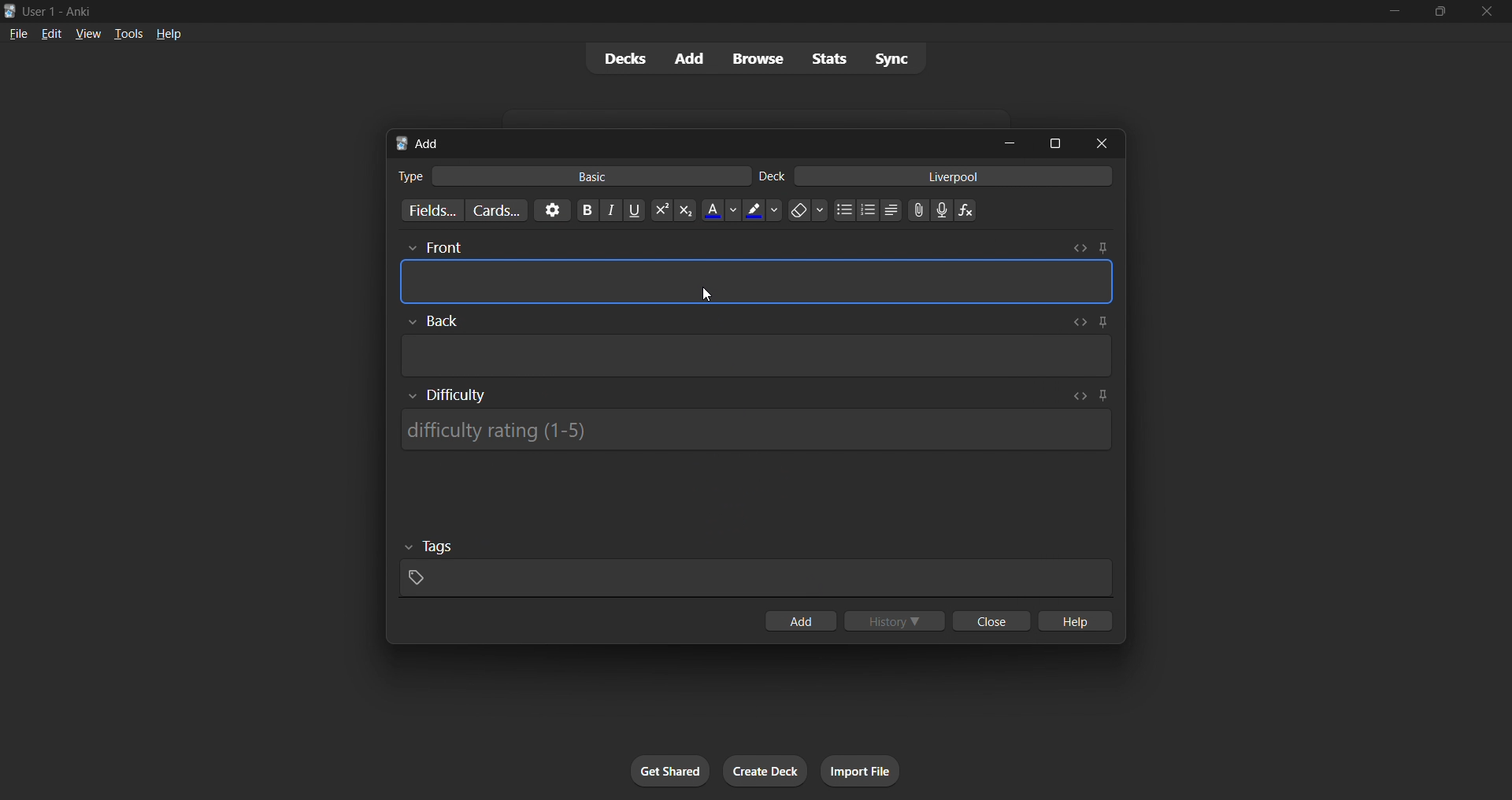 This screenshot has height=800, width=1512. What do you see at coordinates (433, 321) in the screenshot?
I see `` at bounding box center [433, 321].